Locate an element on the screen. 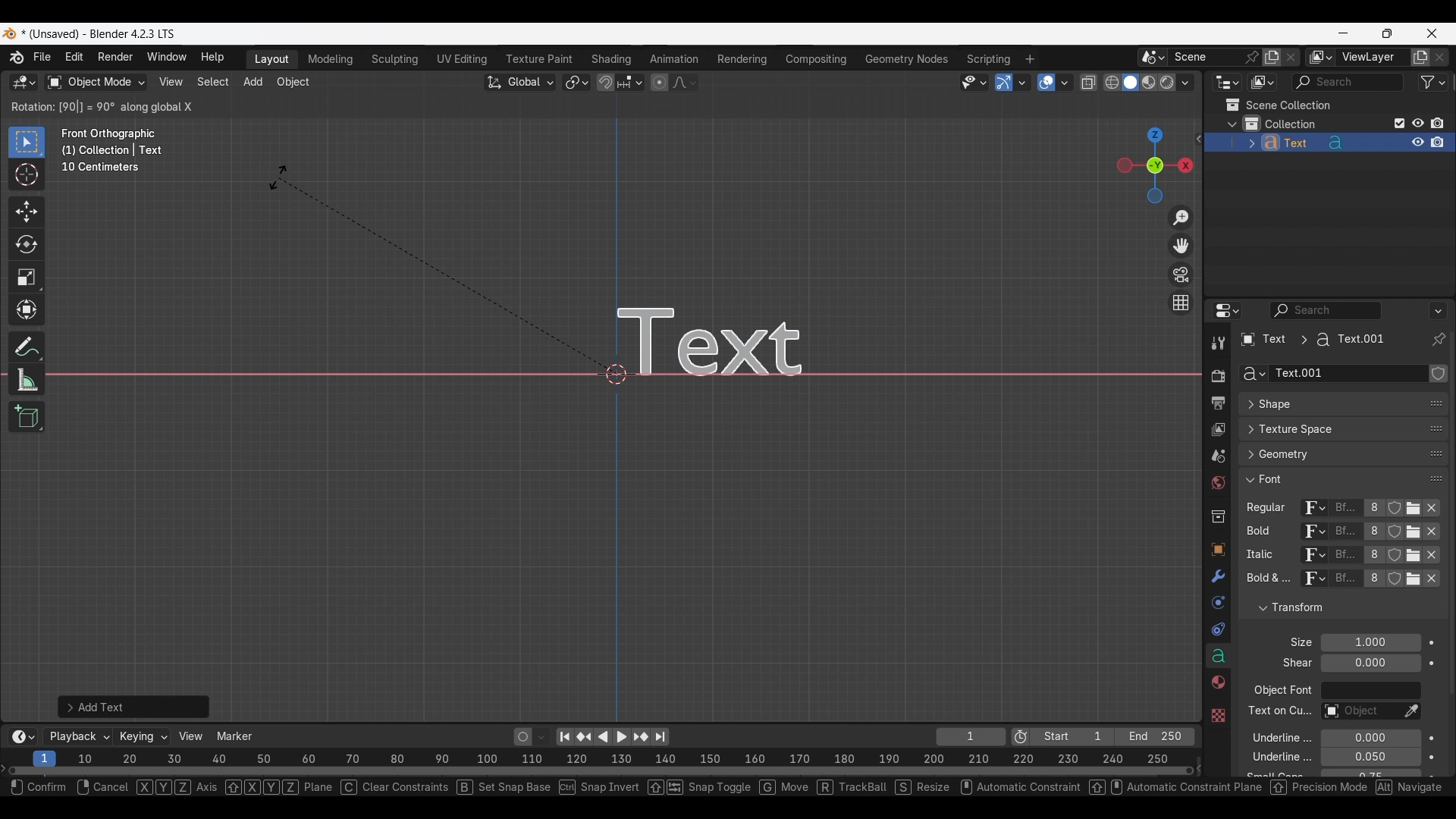 This screenshot has height=819, width=1456. 10 20 30 40 50 60 70 80 90 100 110 120 130 140 150 160 170 180 190 200 210 220 230 240 250 is located at coordinates (627, 757).